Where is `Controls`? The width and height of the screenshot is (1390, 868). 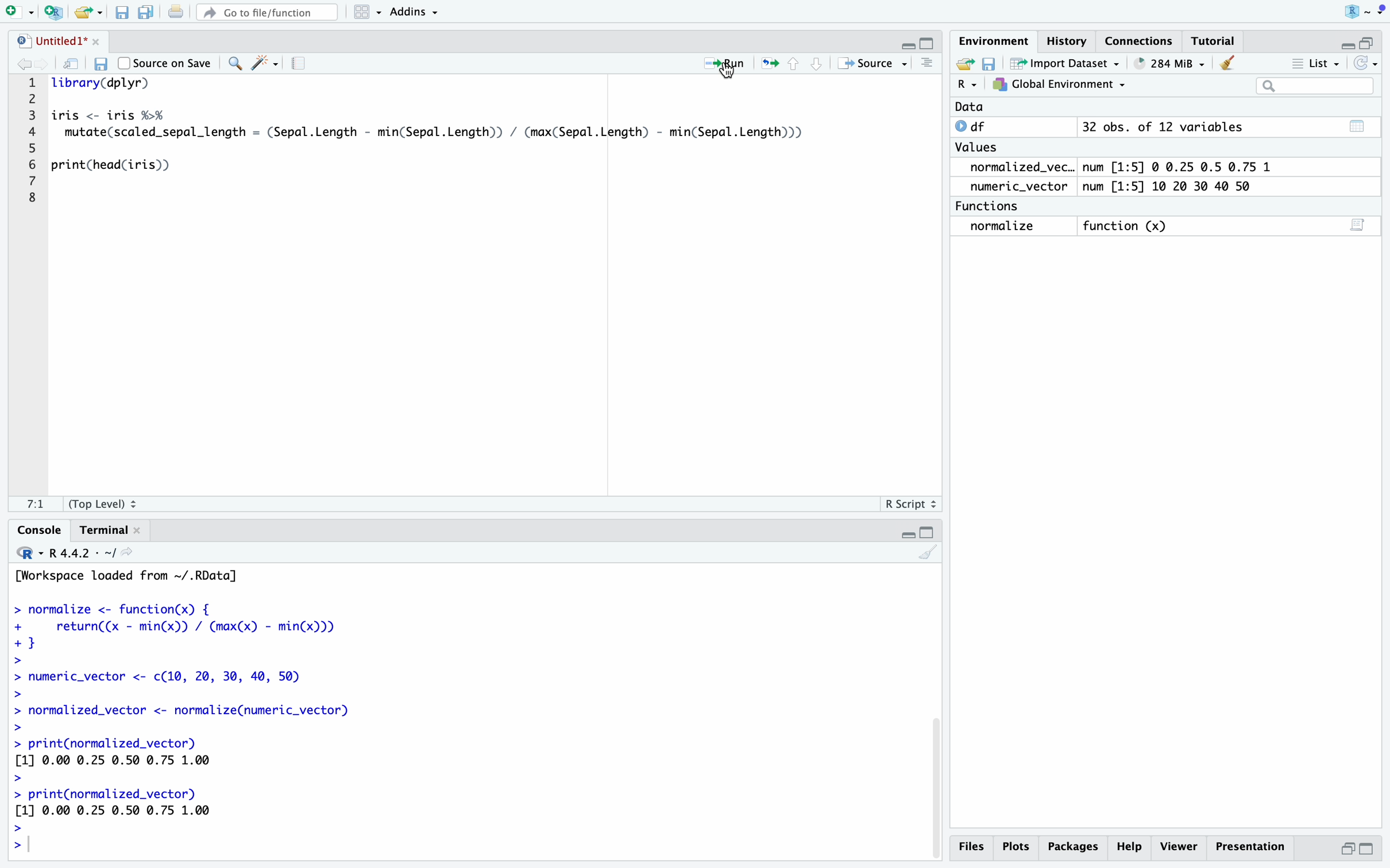 Controls is located at coordinates (793, 63).